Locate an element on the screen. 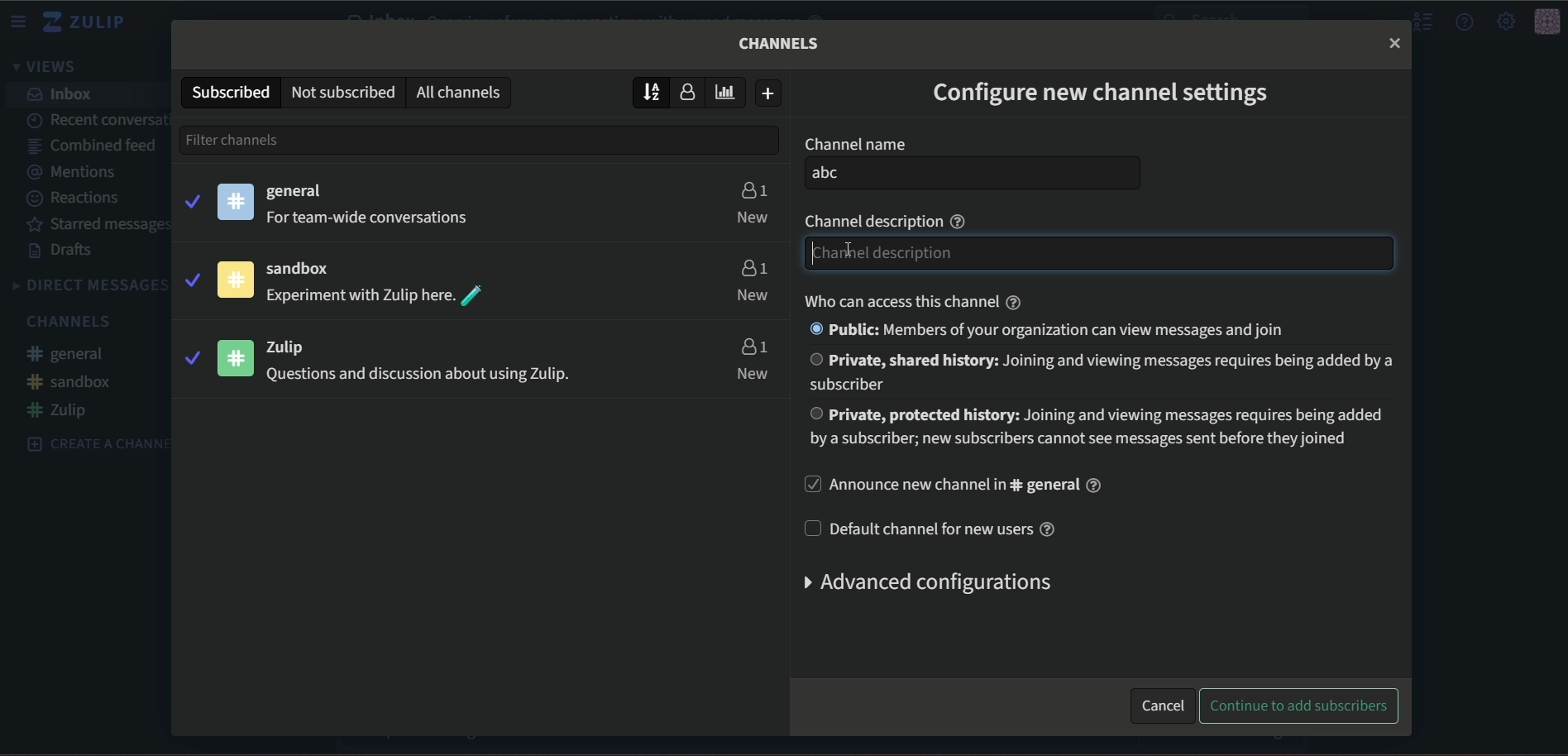 This screenshot has height=756, width=1568. filter channels is located at coordinates (265, 139).